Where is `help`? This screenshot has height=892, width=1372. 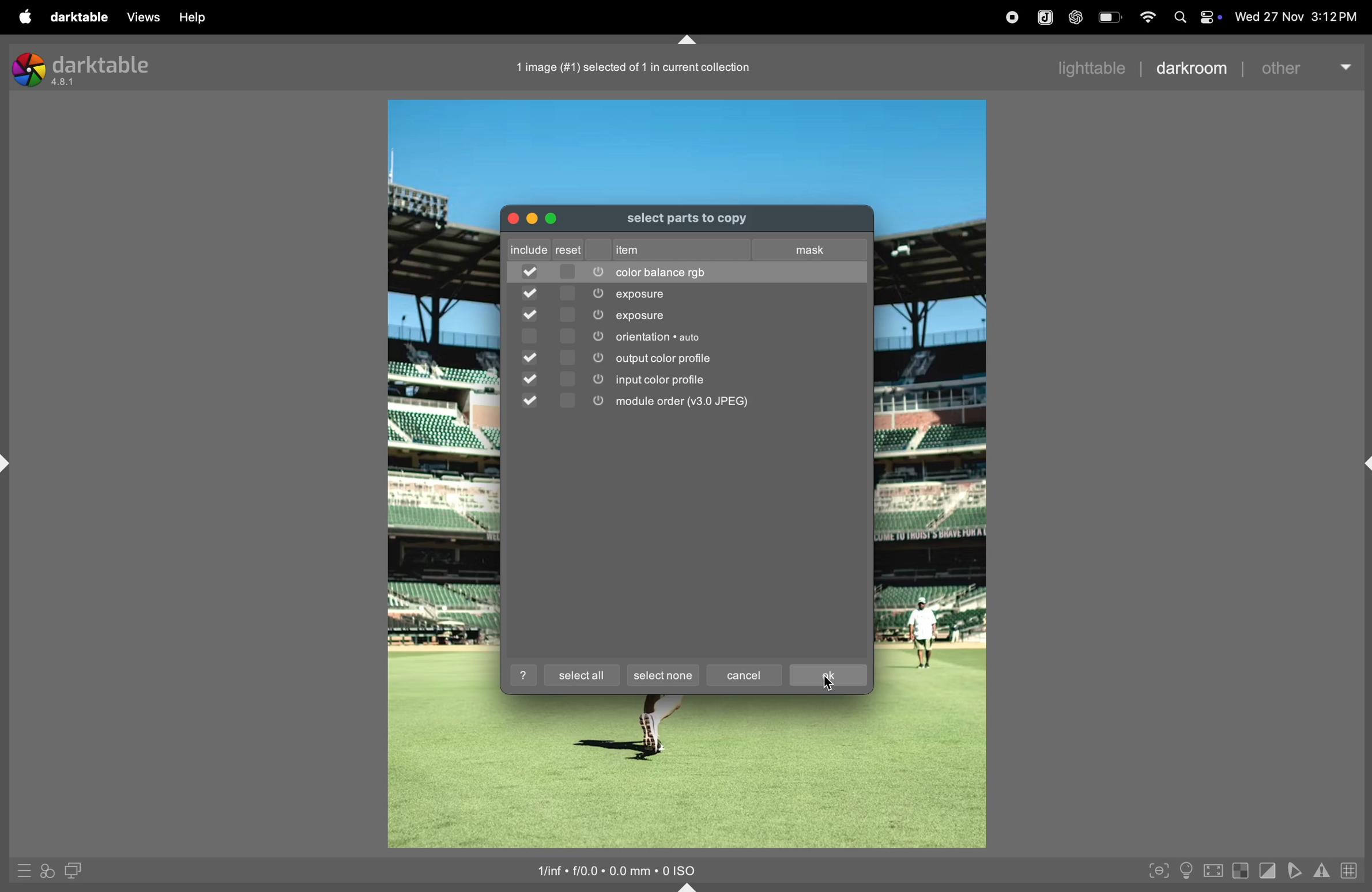 help is located at coordinates (526, 675).